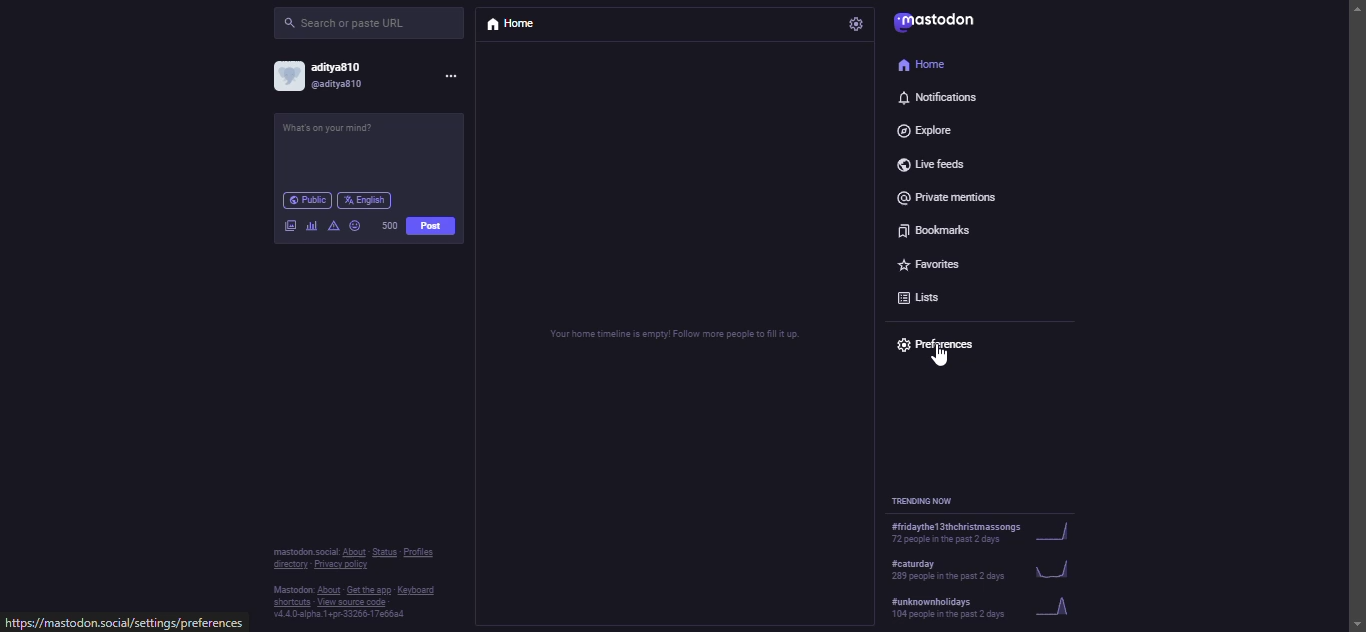 This screenshot has height=632, width=1366. Describe the element at coordinates (927, 64) in the screenshot. I see `home` at that location.